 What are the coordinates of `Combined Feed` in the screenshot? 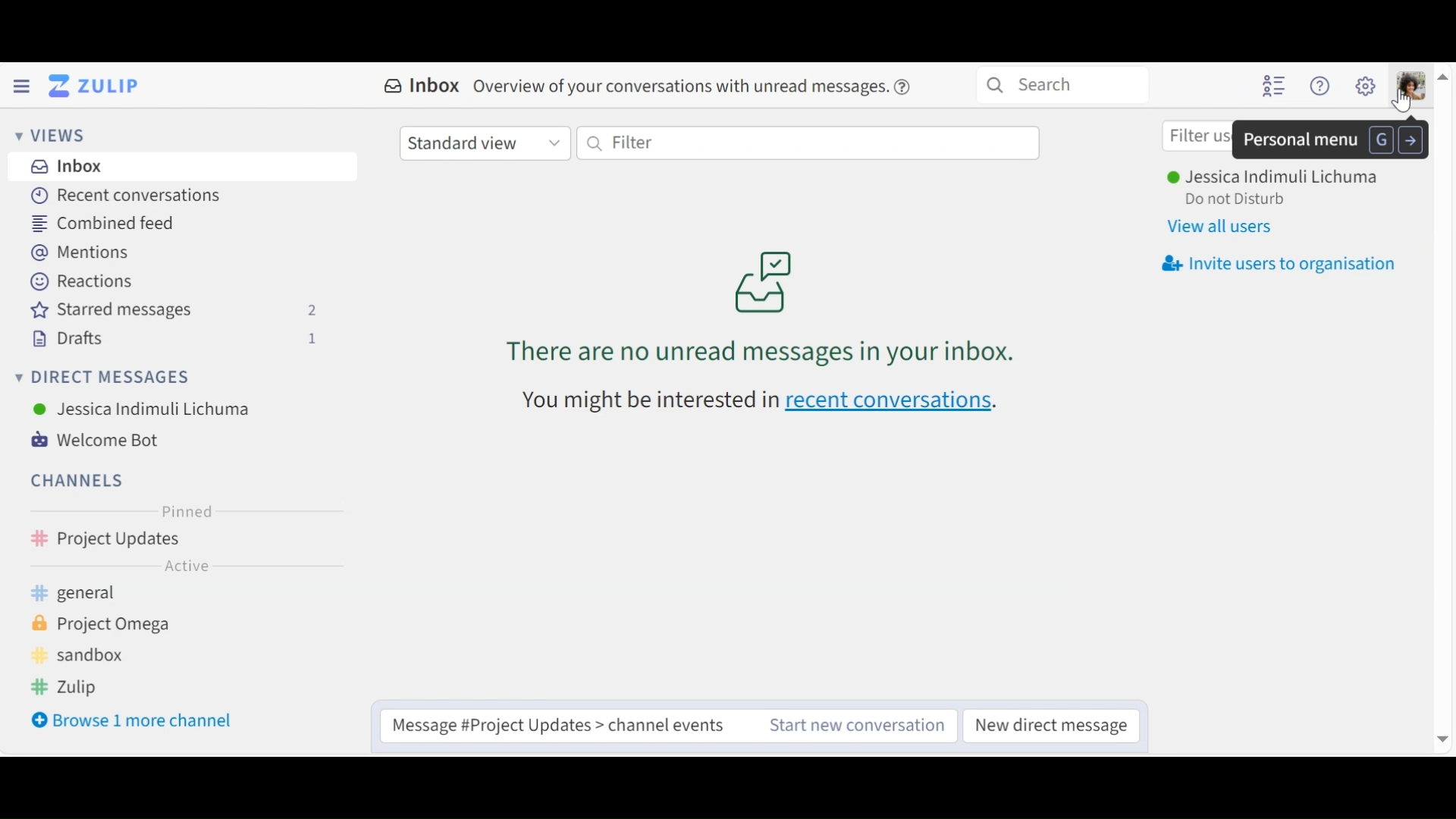 It's located at (103, 225).